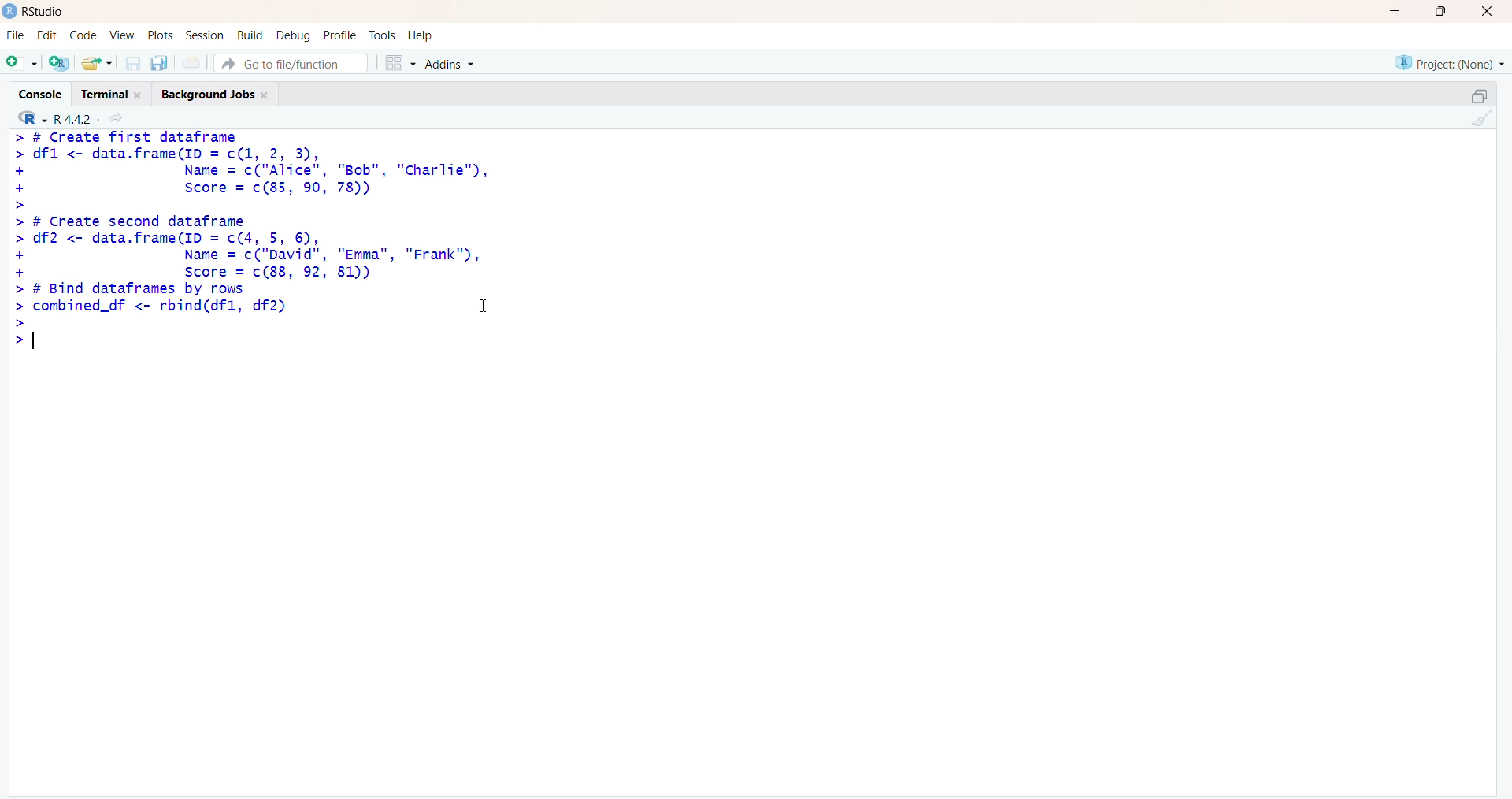  What do you see at coordinates (1477, 118) in the screenshot?
I see `clear console` at bounding box center [1477, 118].